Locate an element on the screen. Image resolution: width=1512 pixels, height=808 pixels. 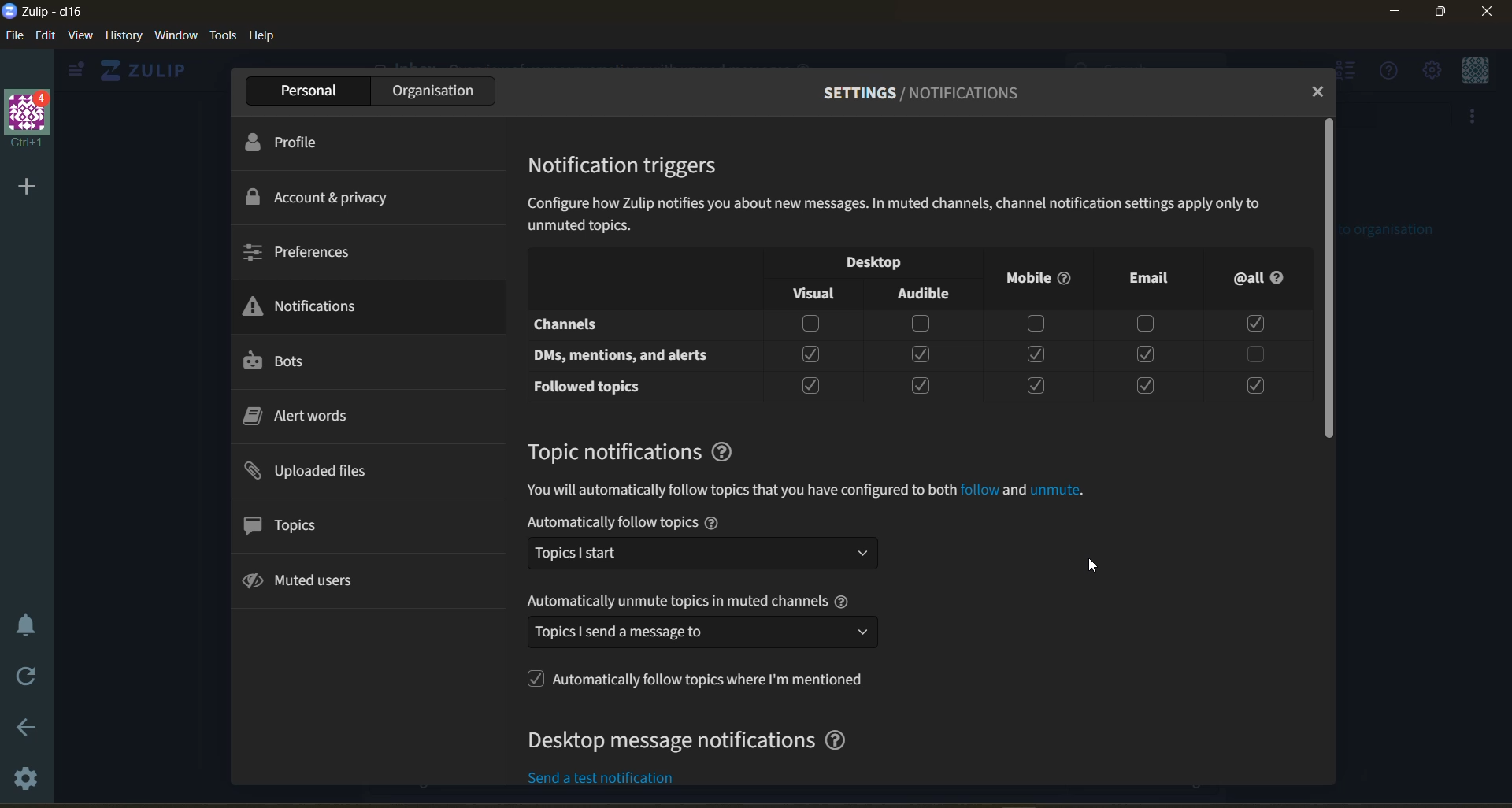
tools is located at coordinates (224, 36).